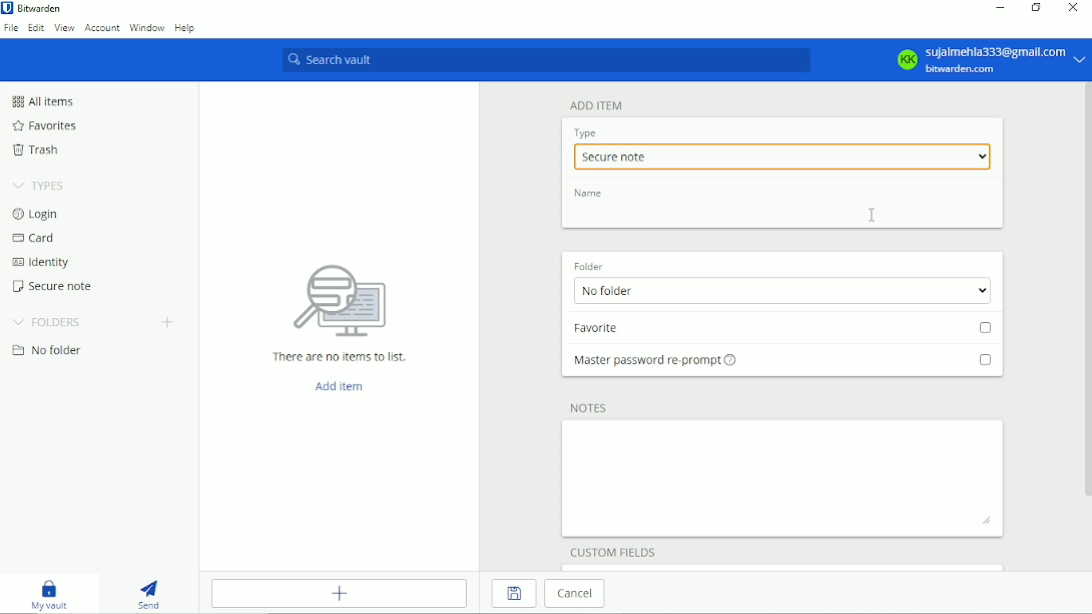  I want to click on Type, so click(586, 133).